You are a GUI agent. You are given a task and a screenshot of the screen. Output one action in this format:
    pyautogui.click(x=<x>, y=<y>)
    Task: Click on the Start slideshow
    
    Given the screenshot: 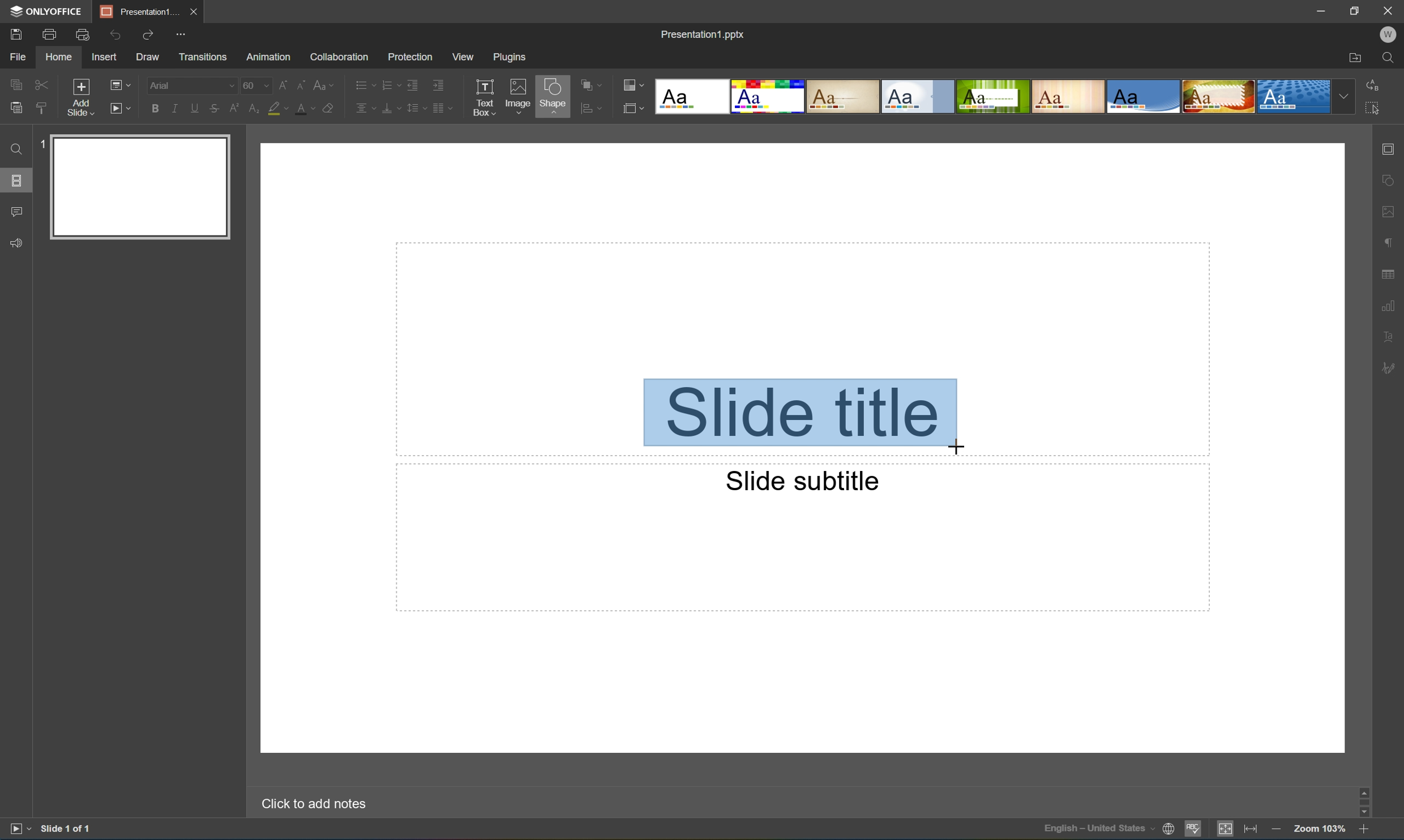 What is the action you would take?
    pyautogui.click(x=16, y=831)
    